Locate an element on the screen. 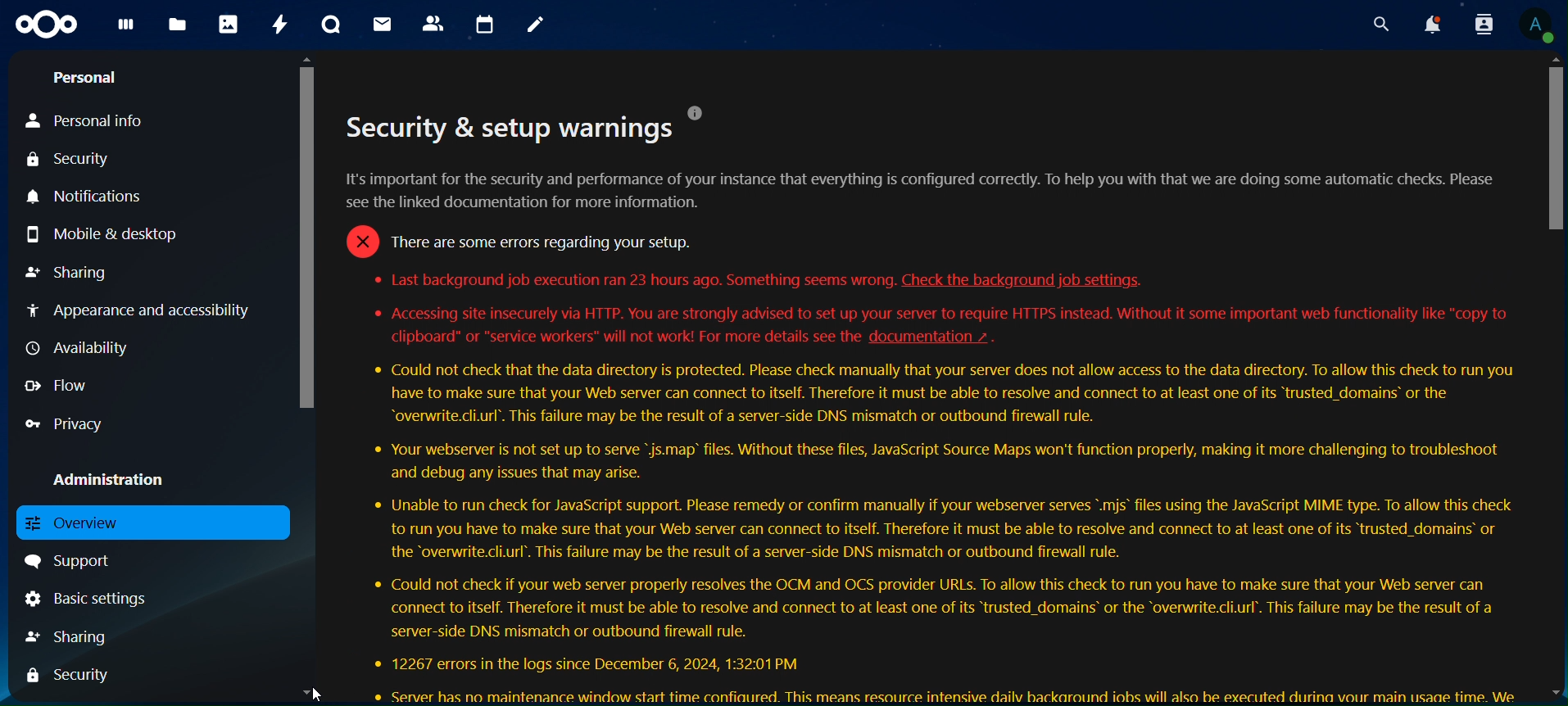 This screenshot has width=1568, height=706. talk is located at coordinates (331, 25).